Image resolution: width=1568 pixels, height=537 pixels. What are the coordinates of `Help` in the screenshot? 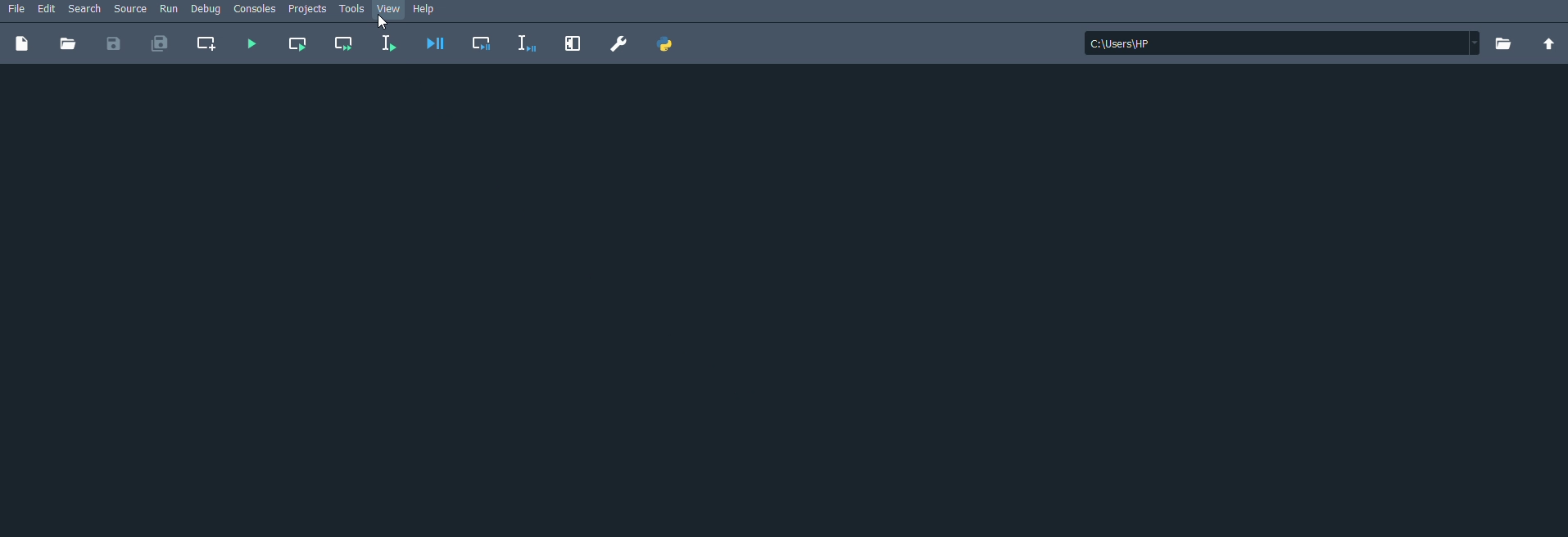 It's located at (431, 11).